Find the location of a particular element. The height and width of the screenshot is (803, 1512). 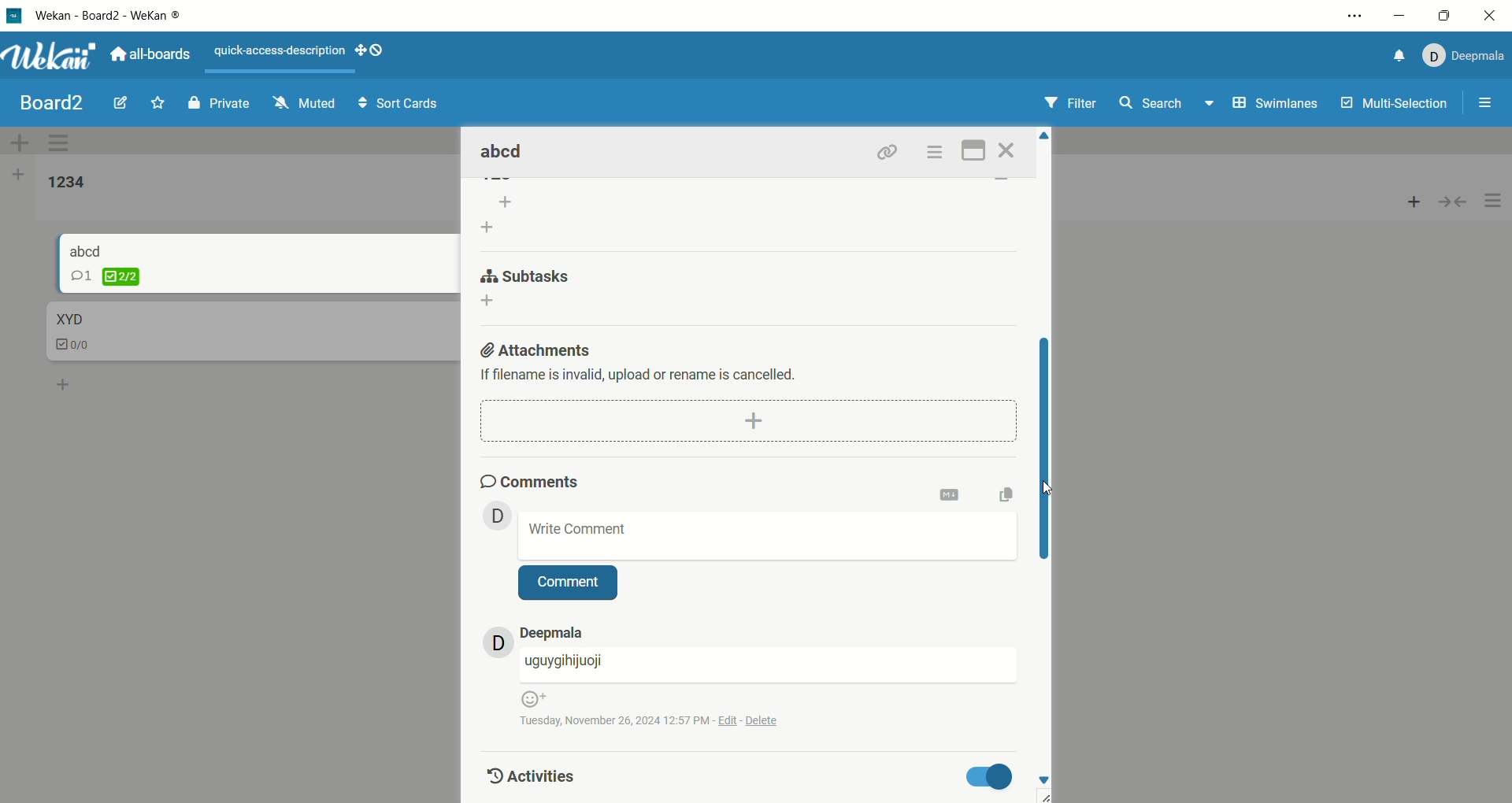

options is located at coordinates (1487, 105).